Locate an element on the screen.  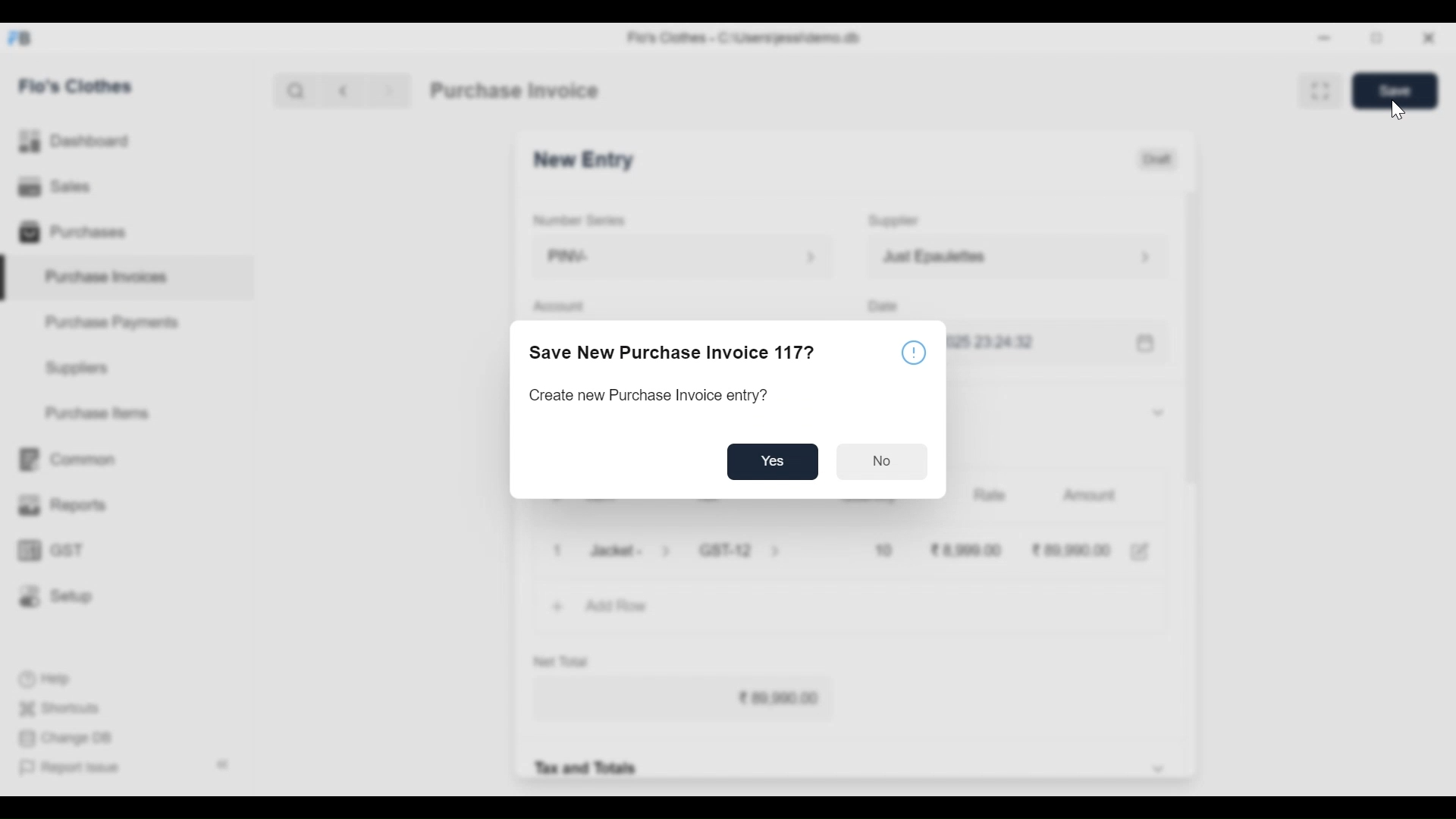
information is located at coordinates (916, 352).